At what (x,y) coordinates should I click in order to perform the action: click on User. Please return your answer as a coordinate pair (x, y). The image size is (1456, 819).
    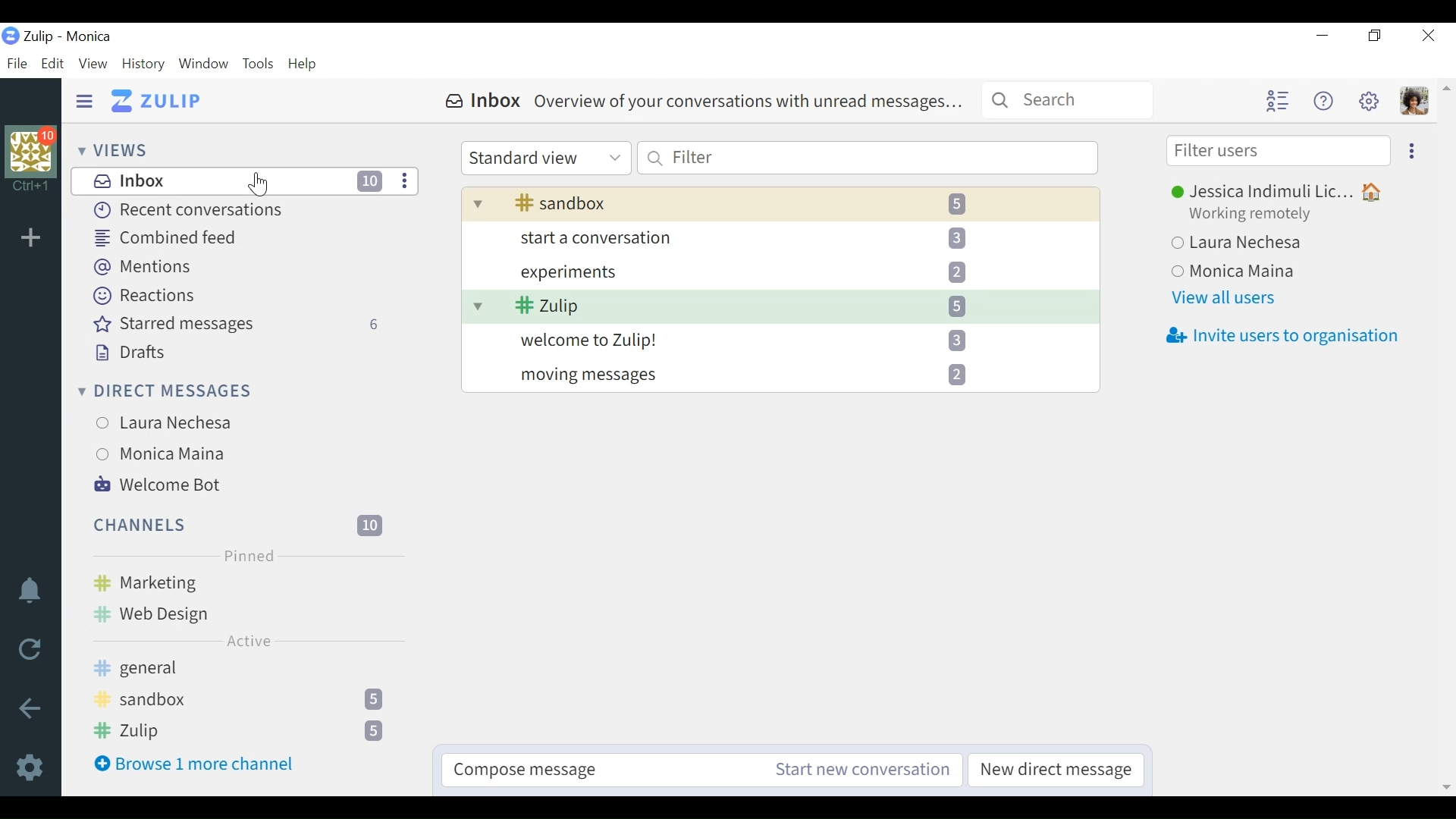
    Looking at the image, I should click on (167, 421).